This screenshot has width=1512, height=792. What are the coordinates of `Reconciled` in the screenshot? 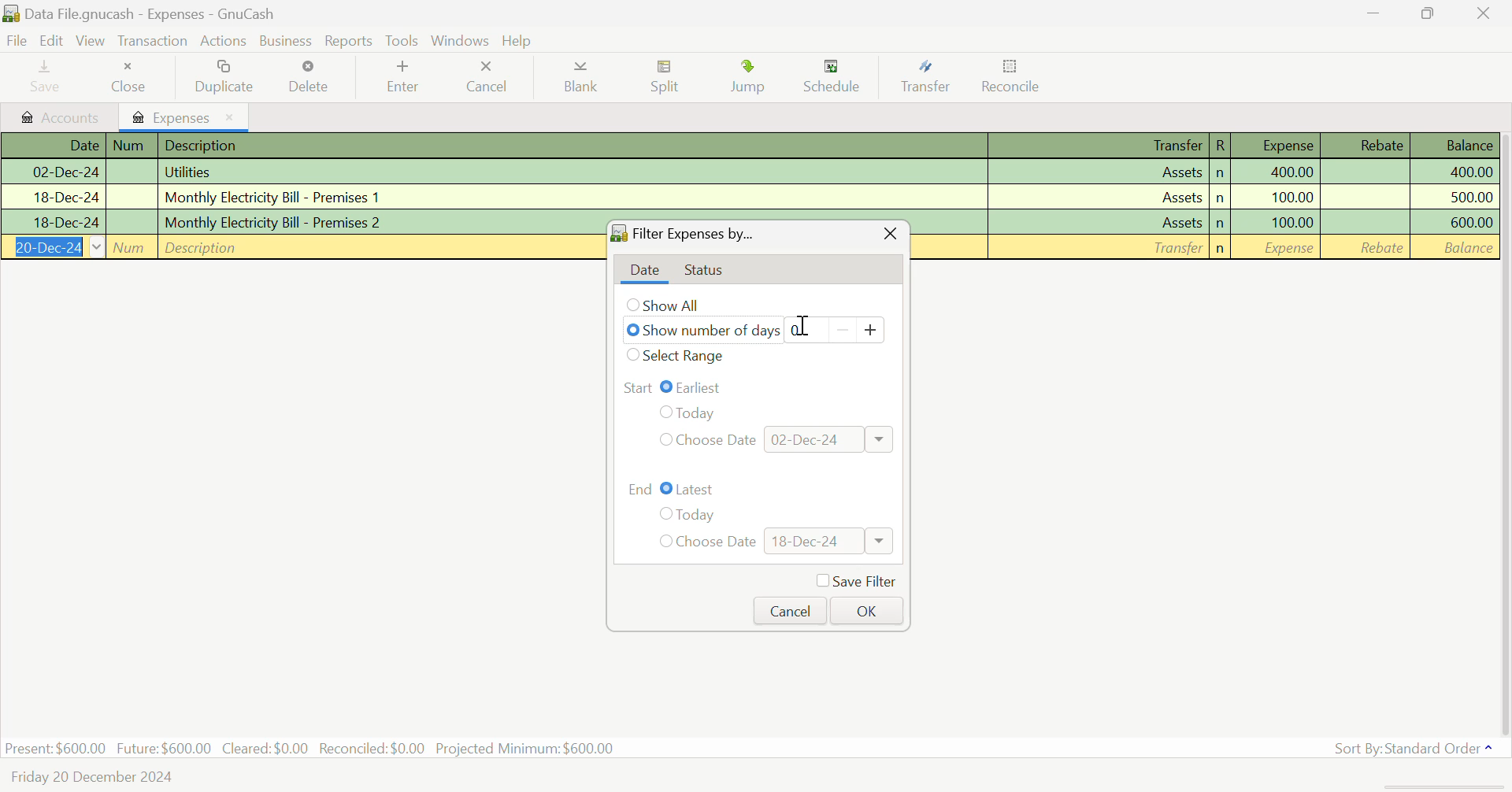 It's located at (372, 749).